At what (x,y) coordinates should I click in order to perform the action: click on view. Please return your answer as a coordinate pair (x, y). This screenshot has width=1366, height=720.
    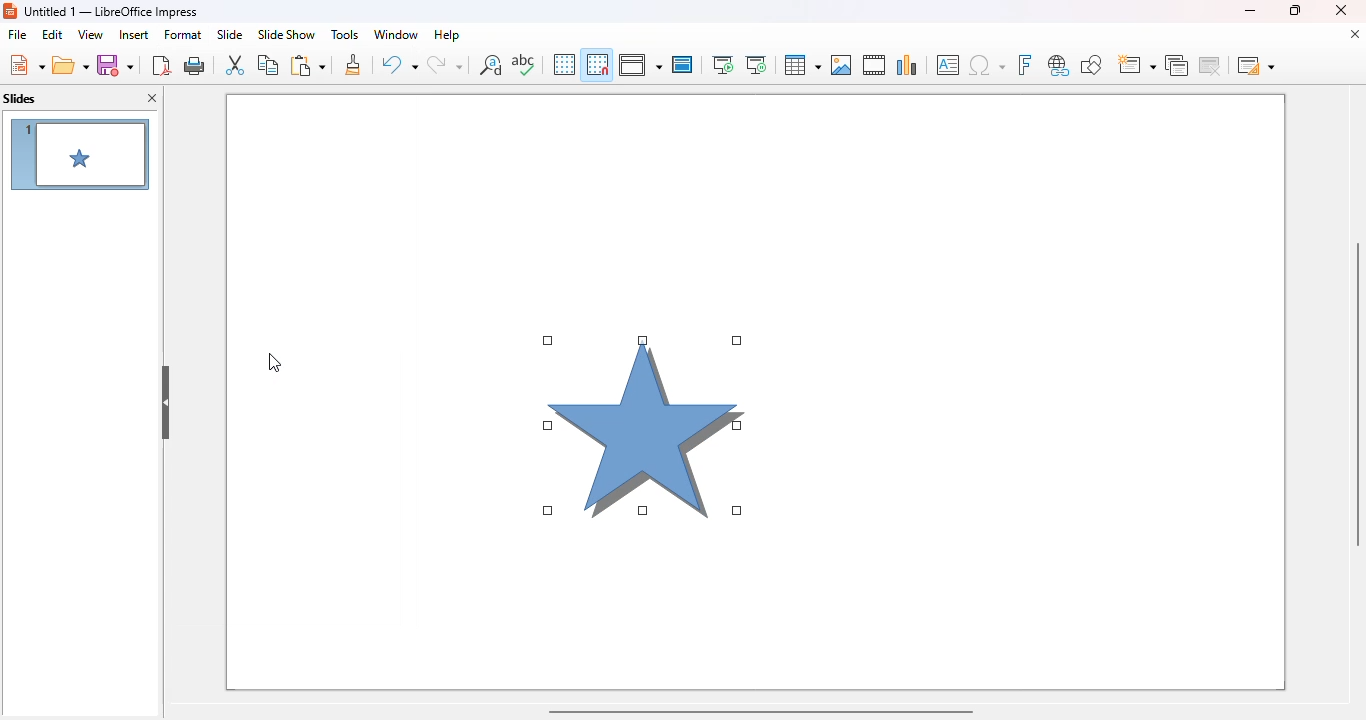
    Looking at the image, I should click on (90, 34).